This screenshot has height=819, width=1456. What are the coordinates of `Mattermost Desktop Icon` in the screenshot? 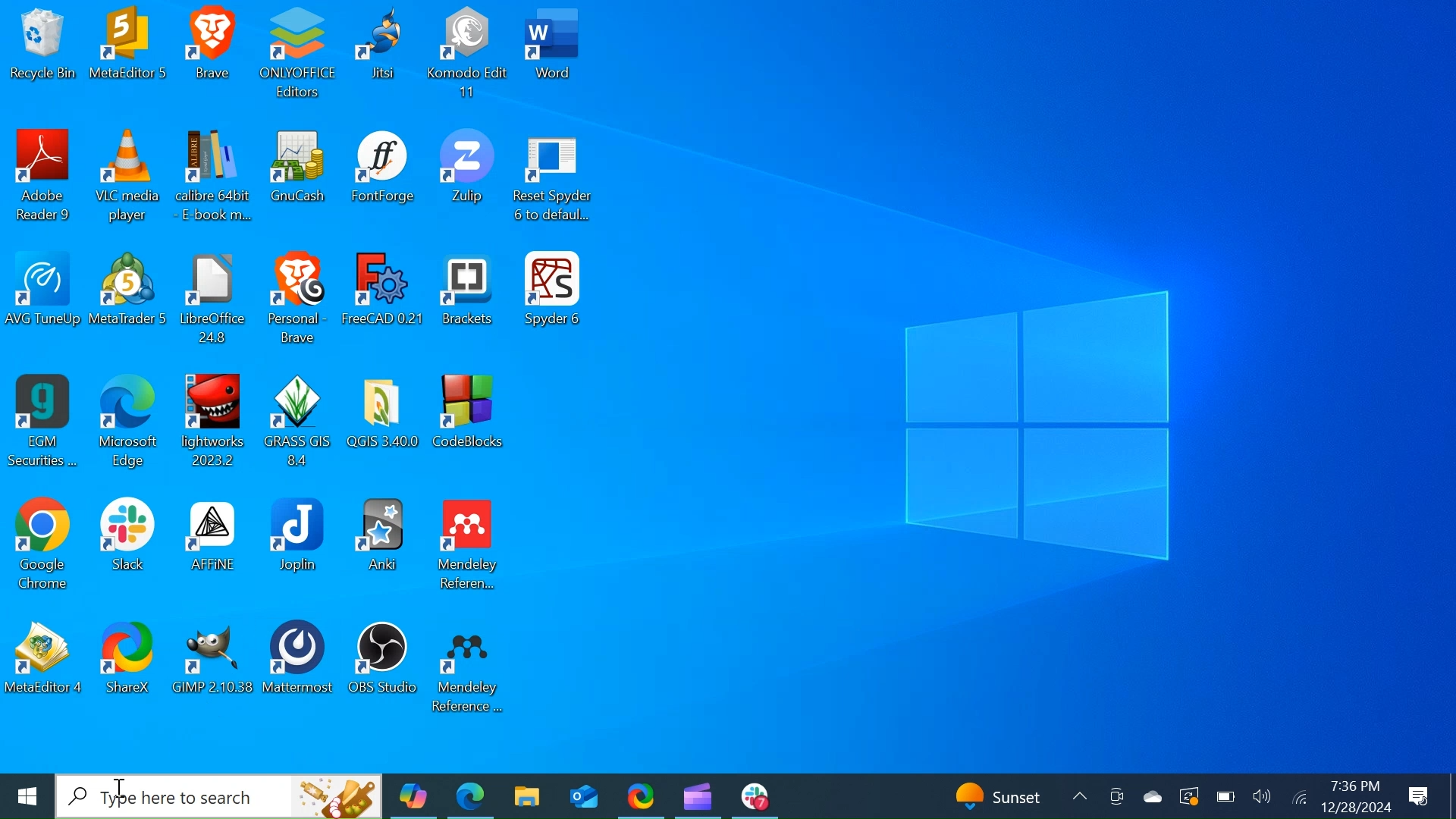 It's located at (301, 670).